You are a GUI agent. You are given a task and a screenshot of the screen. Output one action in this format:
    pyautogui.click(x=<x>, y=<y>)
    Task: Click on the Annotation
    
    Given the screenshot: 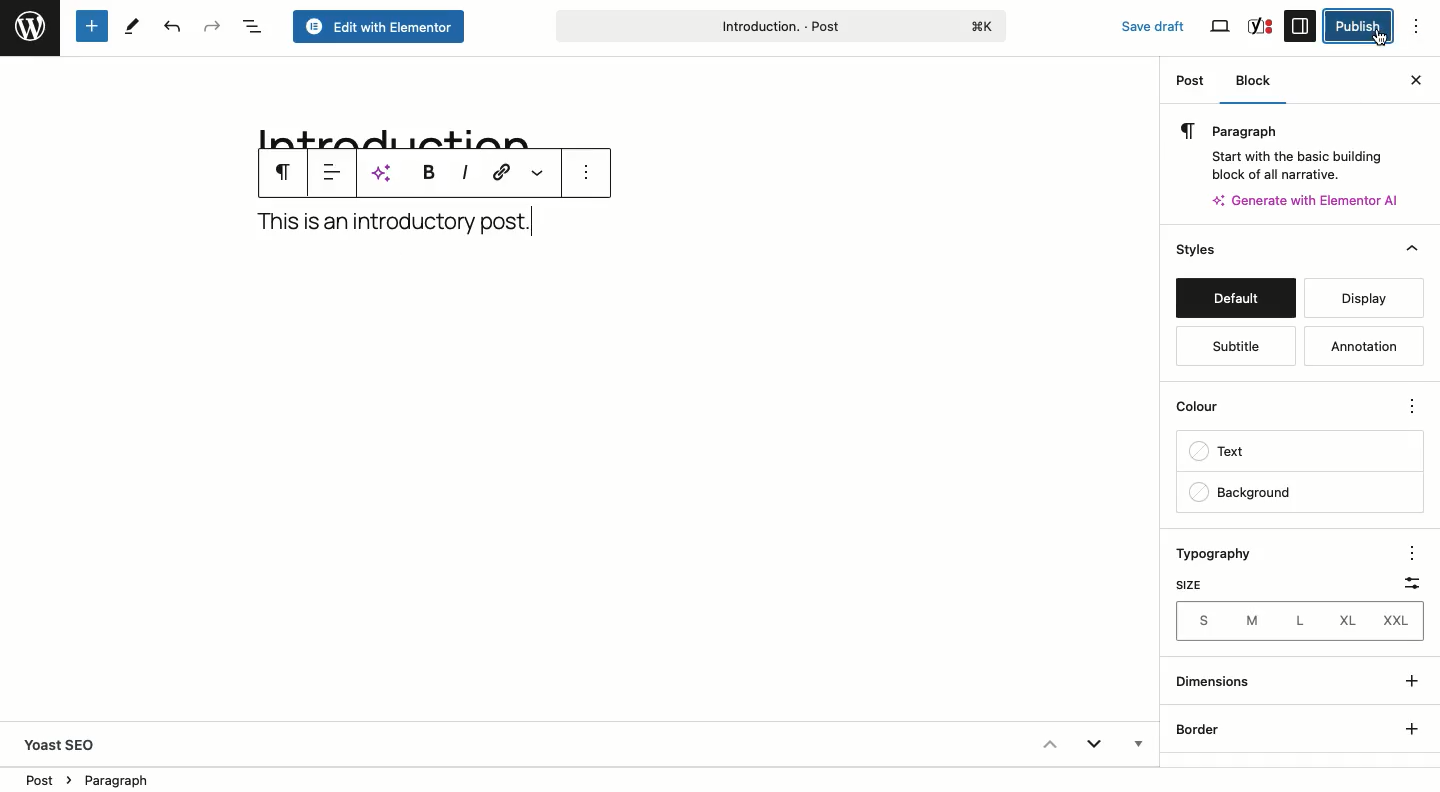 What is the action you would take?
    pyautogui.click(x=1366, y=347)
    